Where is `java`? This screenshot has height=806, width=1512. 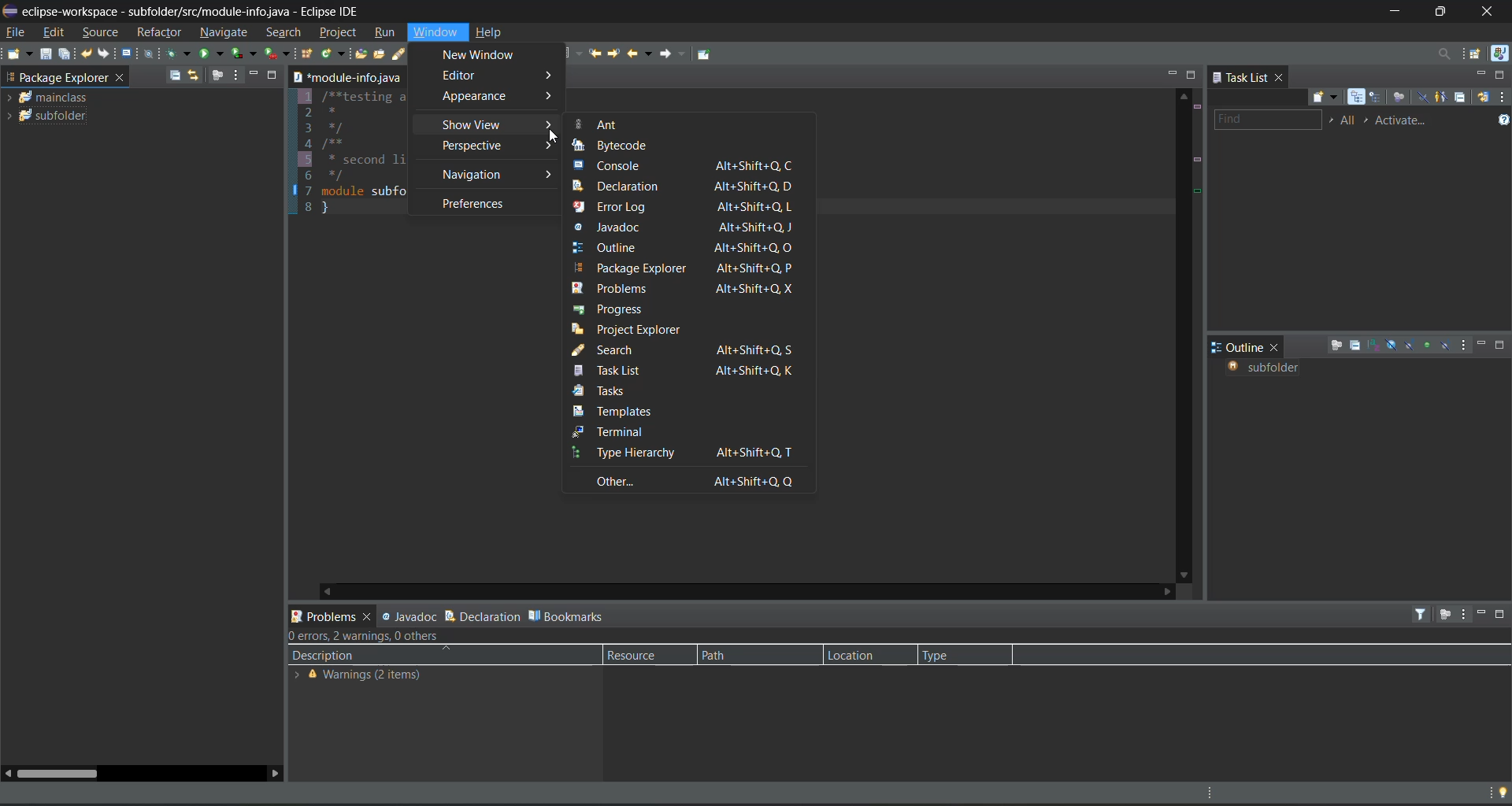 java is located at coordinates (1501, 55).